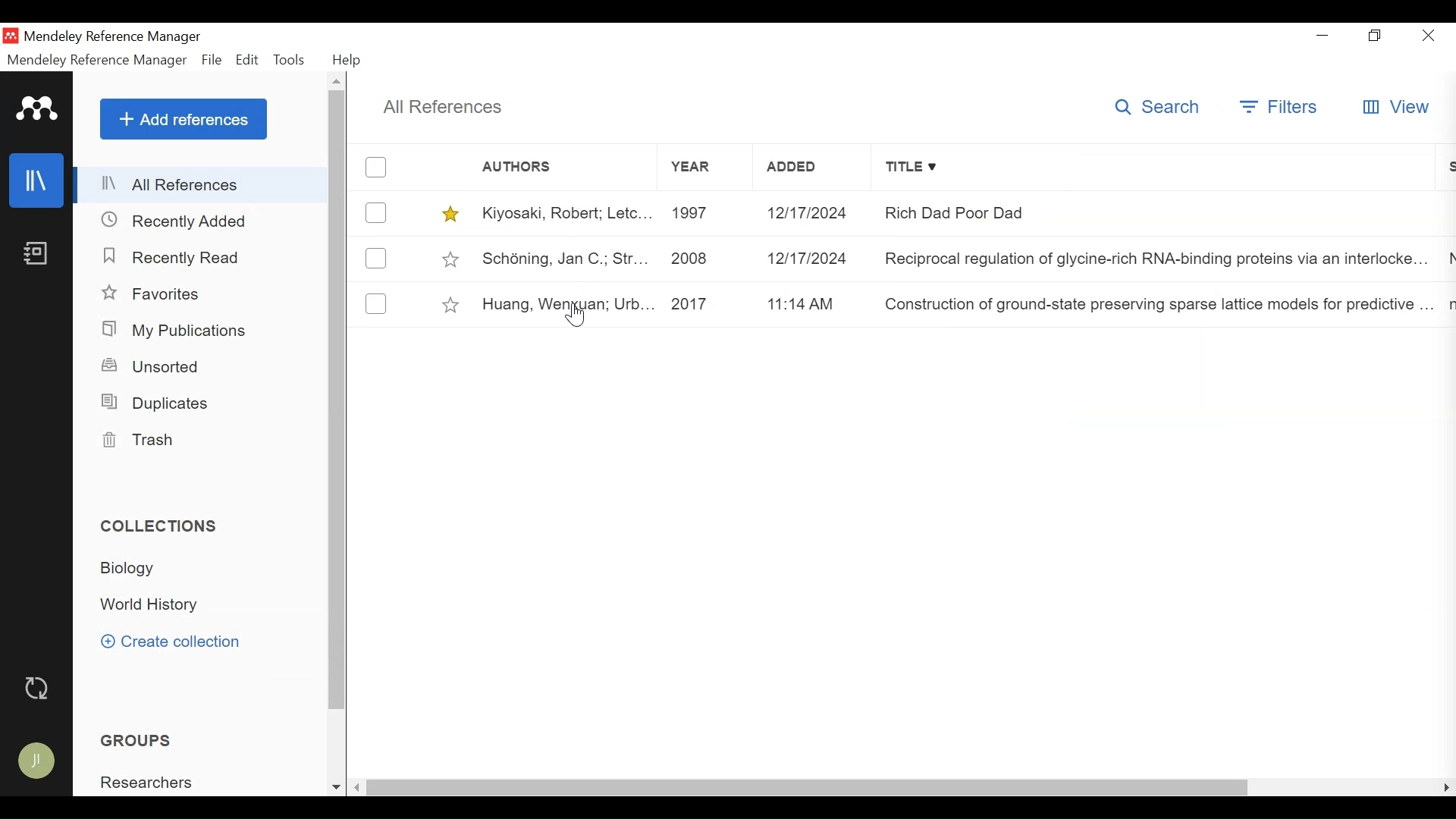 This screenshot has height=819, width=1456. I want to click on Search, so click(1159, 107).